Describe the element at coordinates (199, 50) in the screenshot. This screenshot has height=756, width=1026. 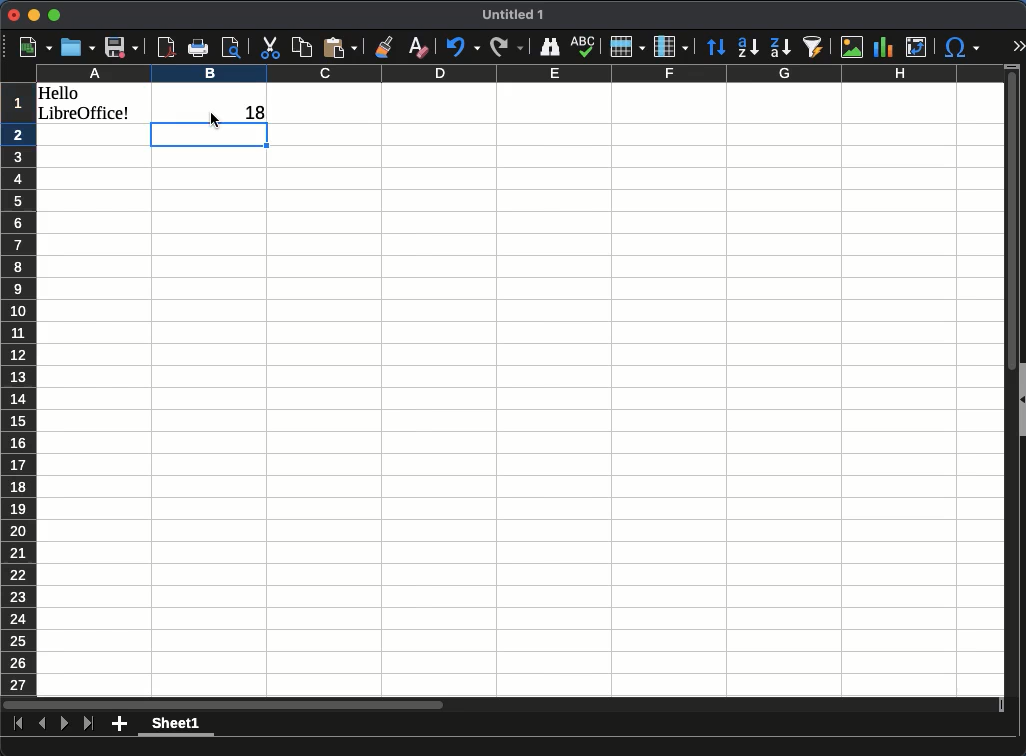
I see `print` at that location.